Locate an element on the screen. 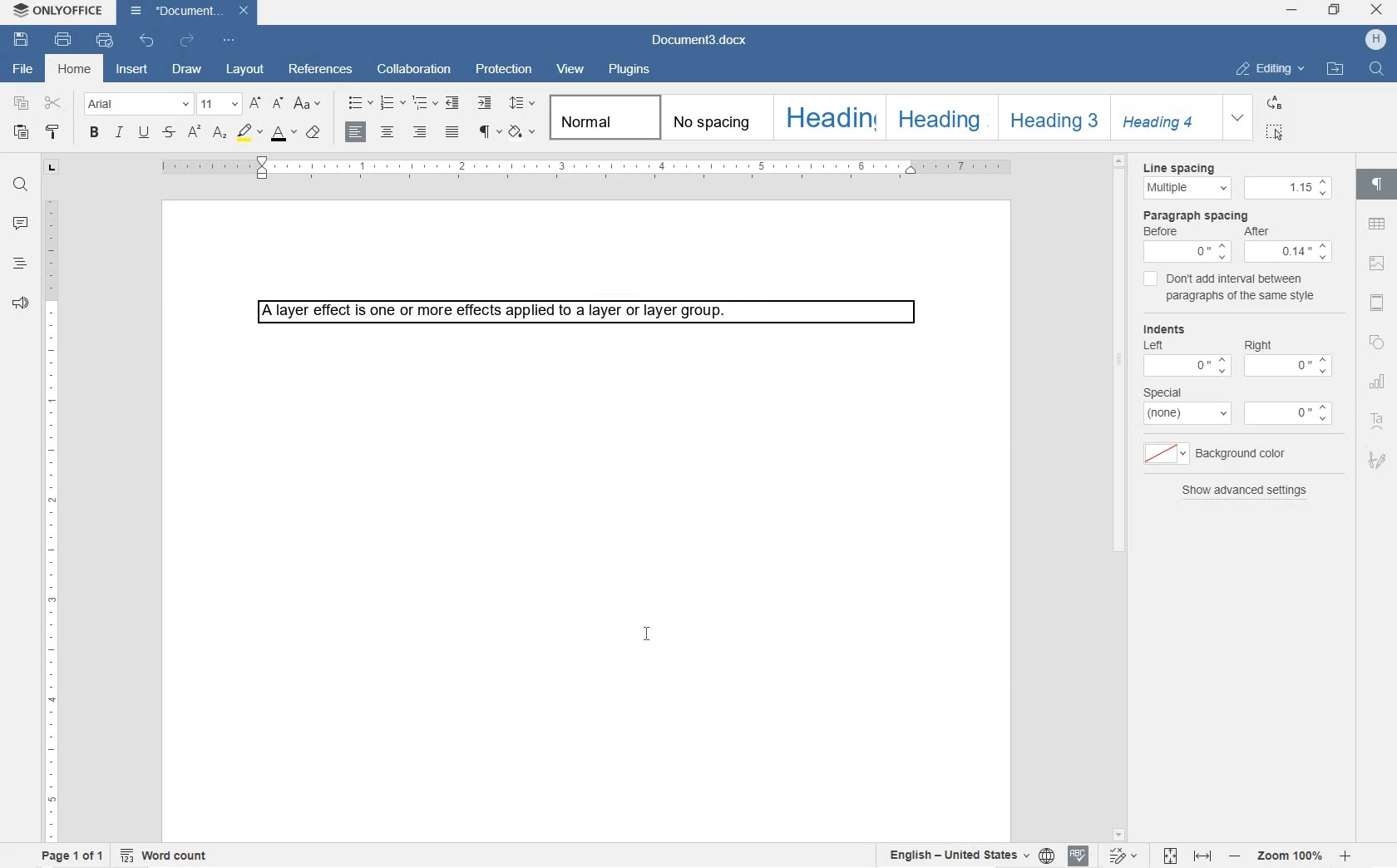 Image resolution: width=1397 pixels, height=868 pixels. FONT COLOR is located at coordinates (285, 133).